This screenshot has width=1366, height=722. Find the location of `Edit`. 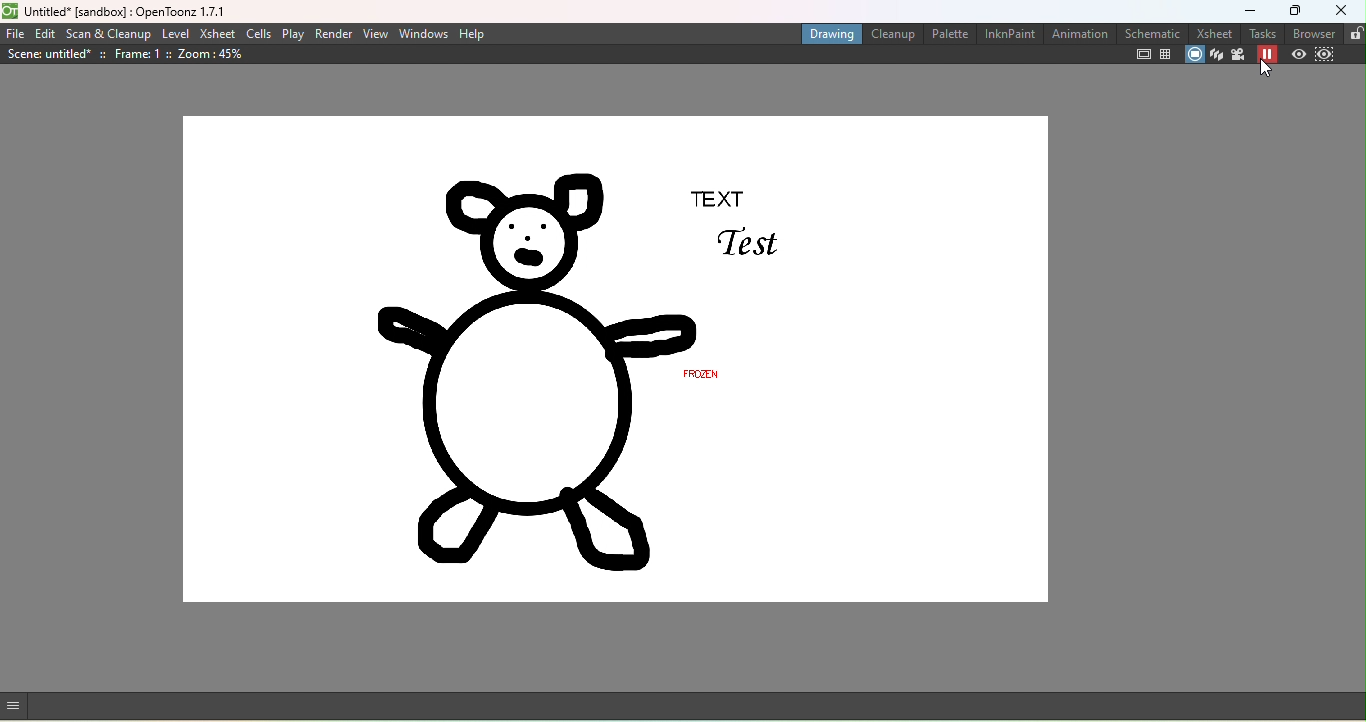

Edit is located at coordinates (46, 35).